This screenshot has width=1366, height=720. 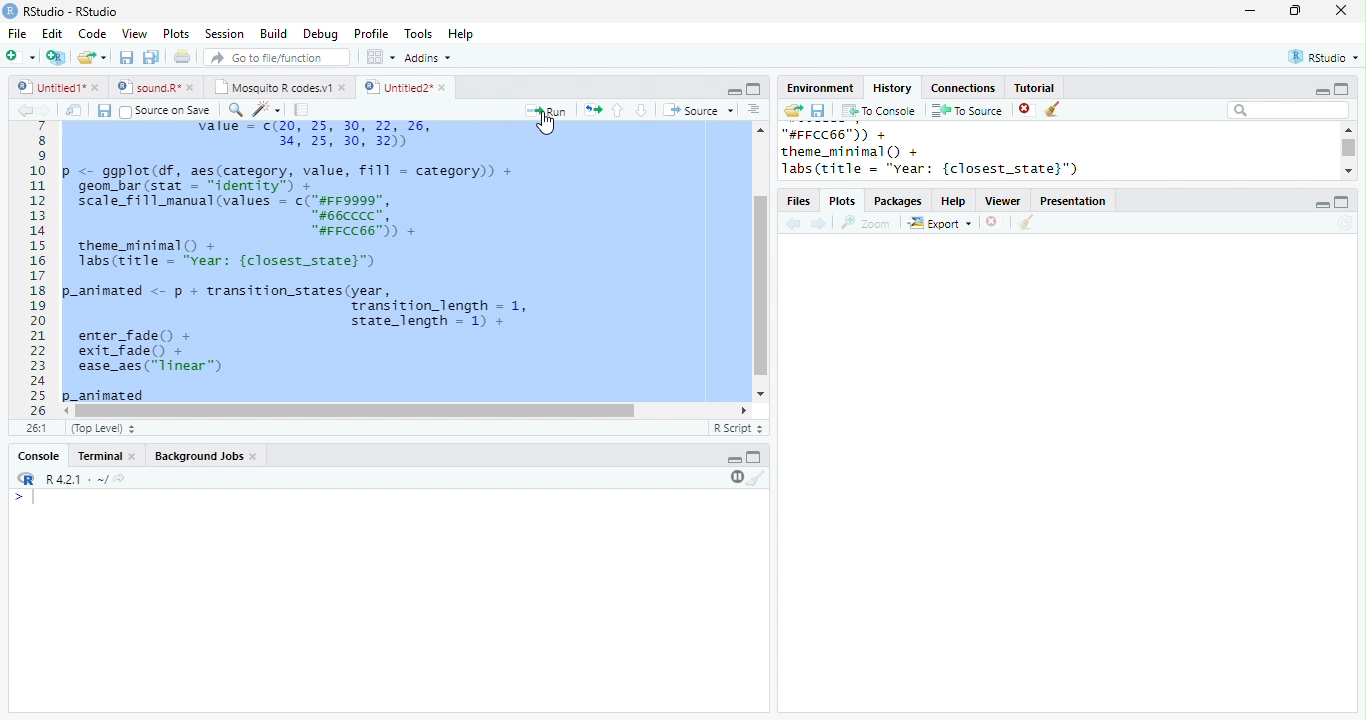 What do you see at coordinates (240, 256) in the screenshot?
I see `theme_minimal() +labs(title = “Year: {closest_state}”)` at bounding box center [240, 256].